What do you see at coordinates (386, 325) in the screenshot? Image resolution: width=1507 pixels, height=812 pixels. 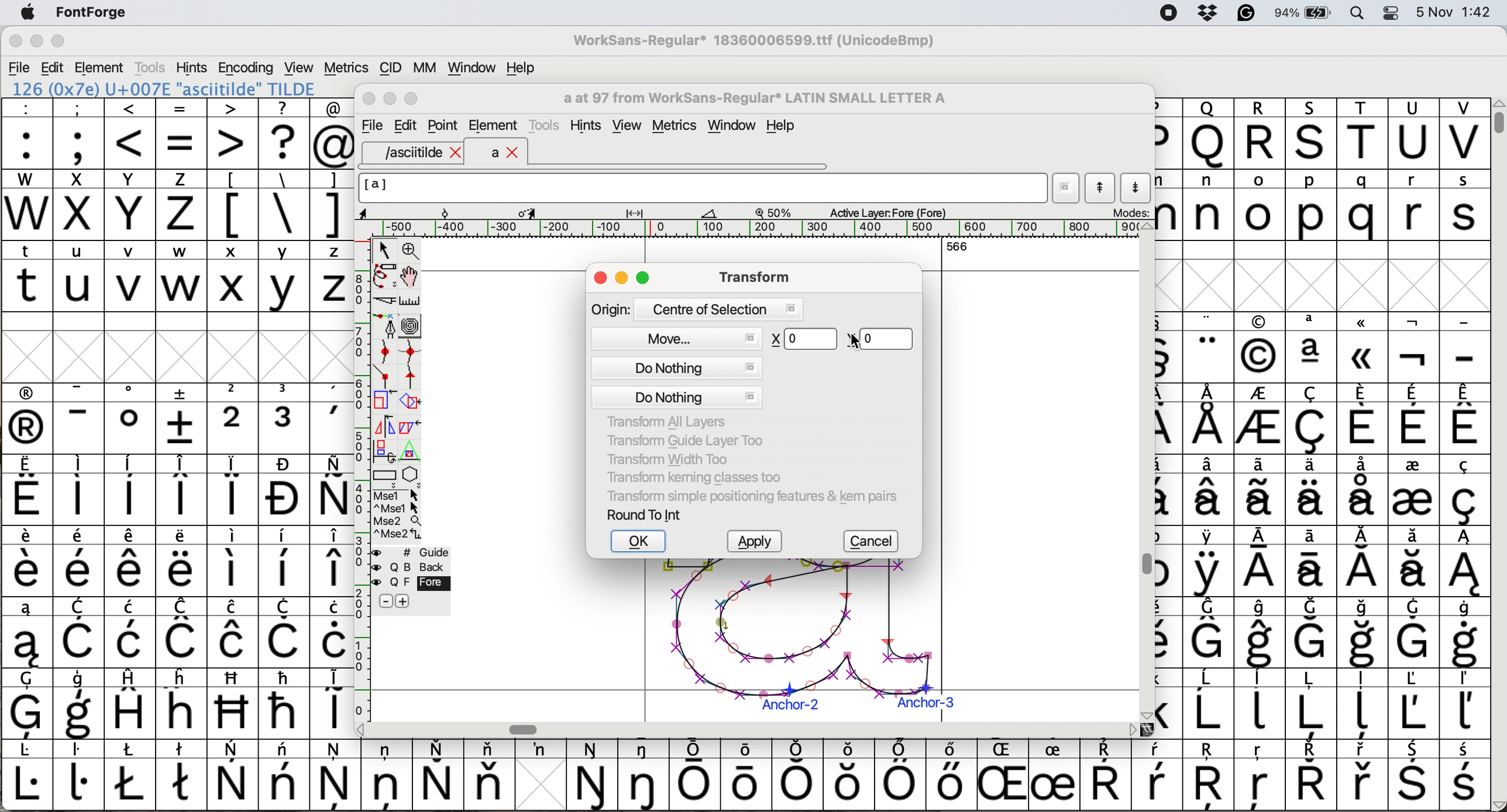 I see `add a  point then drag out its control points` at bounding box center [386, 325].